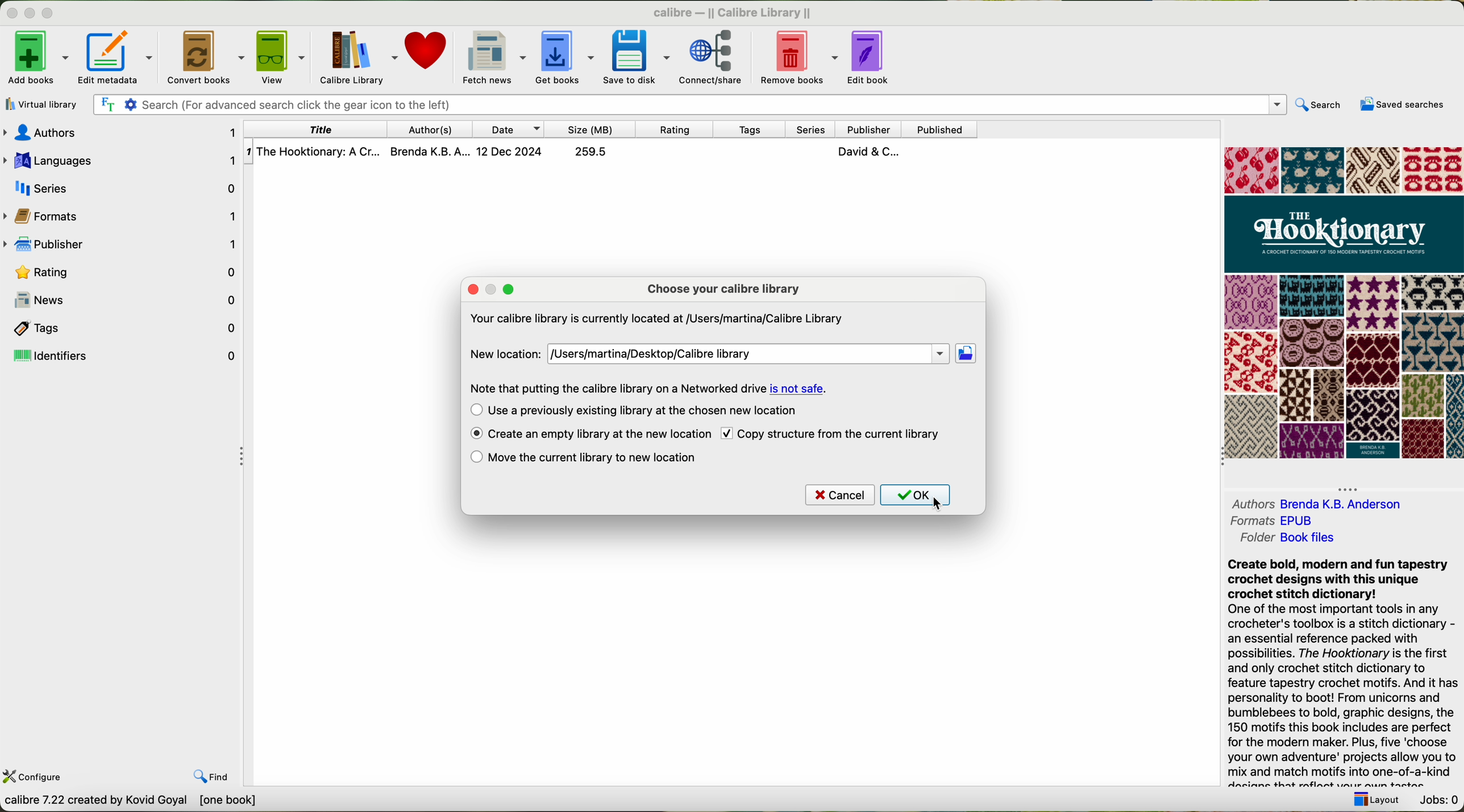 Image resolution: width=1464 pixels, height=812 pixels. Describe the element at coordinates (11, 13) in the screenshot. I see `close program` at that location.